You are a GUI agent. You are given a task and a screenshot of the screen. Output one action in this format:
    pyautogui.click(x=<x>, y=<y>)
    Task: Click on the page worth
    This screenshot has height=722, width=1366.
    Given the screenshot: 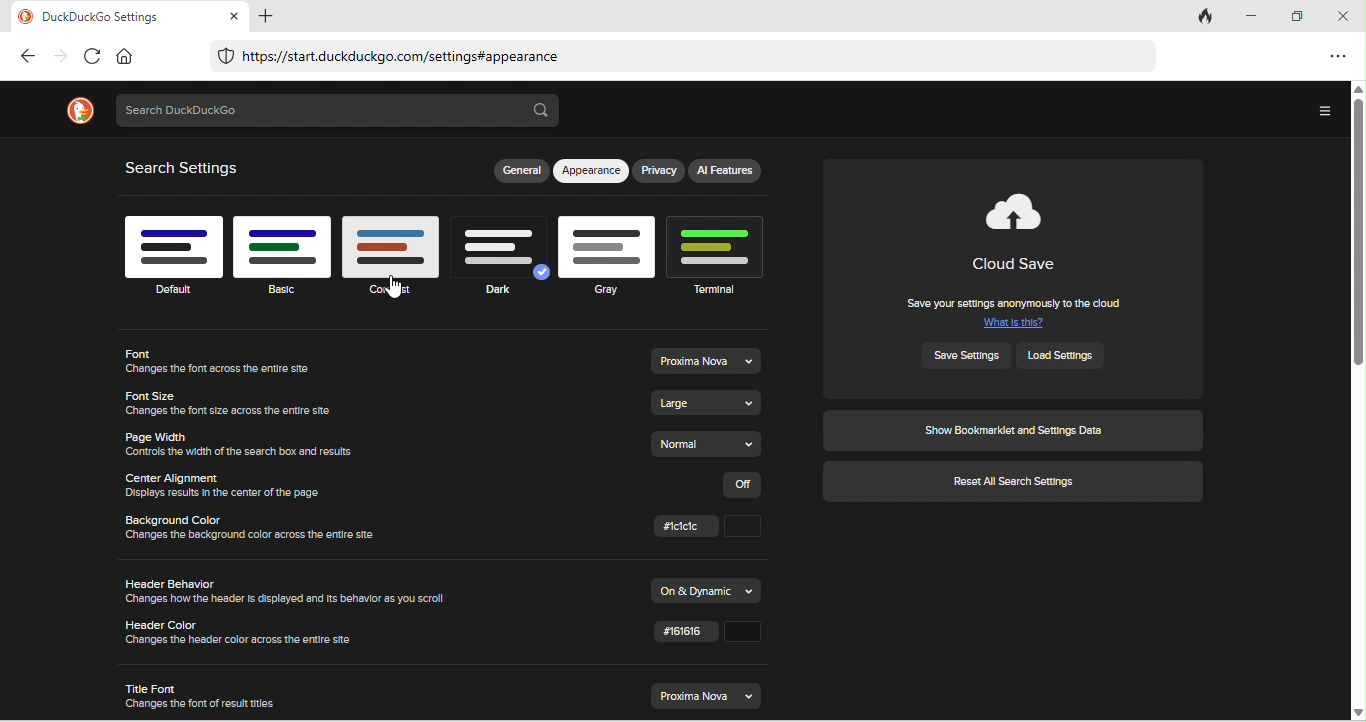 What is the action you would take?
    pyautogui.click(x=240, y=443)
    